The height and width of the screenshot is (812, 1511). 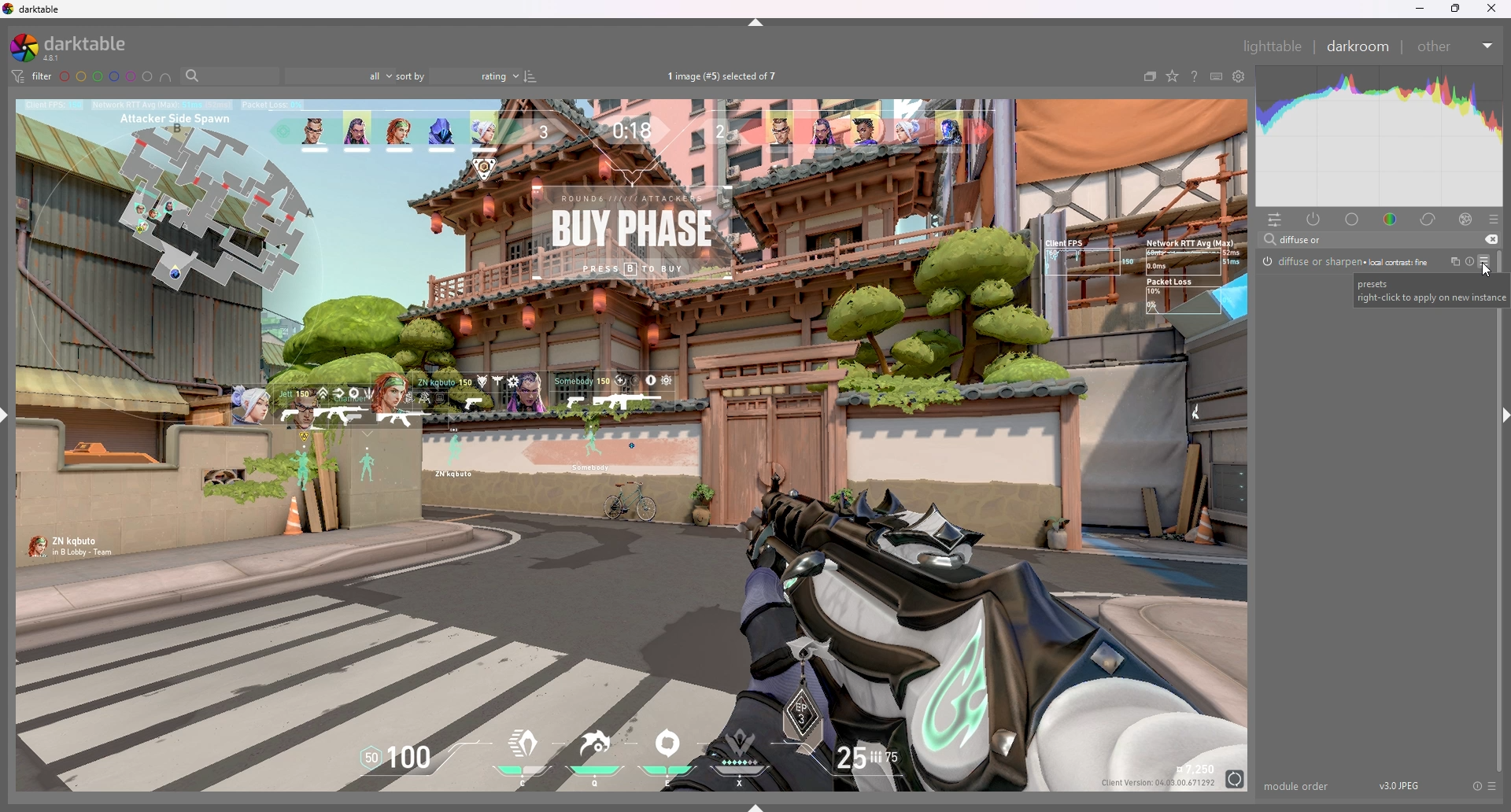 I want to click on filter, so click(x=32, y=76).